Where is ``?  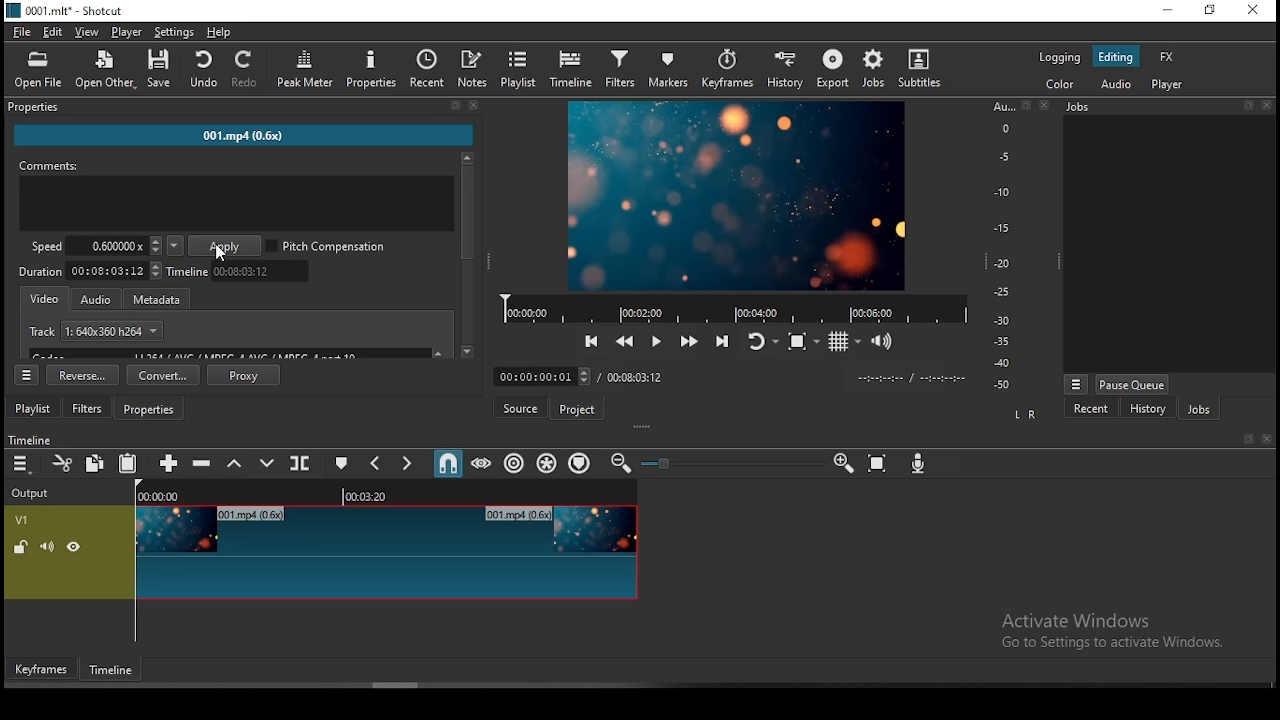
 is located at coordinates (655, 339).